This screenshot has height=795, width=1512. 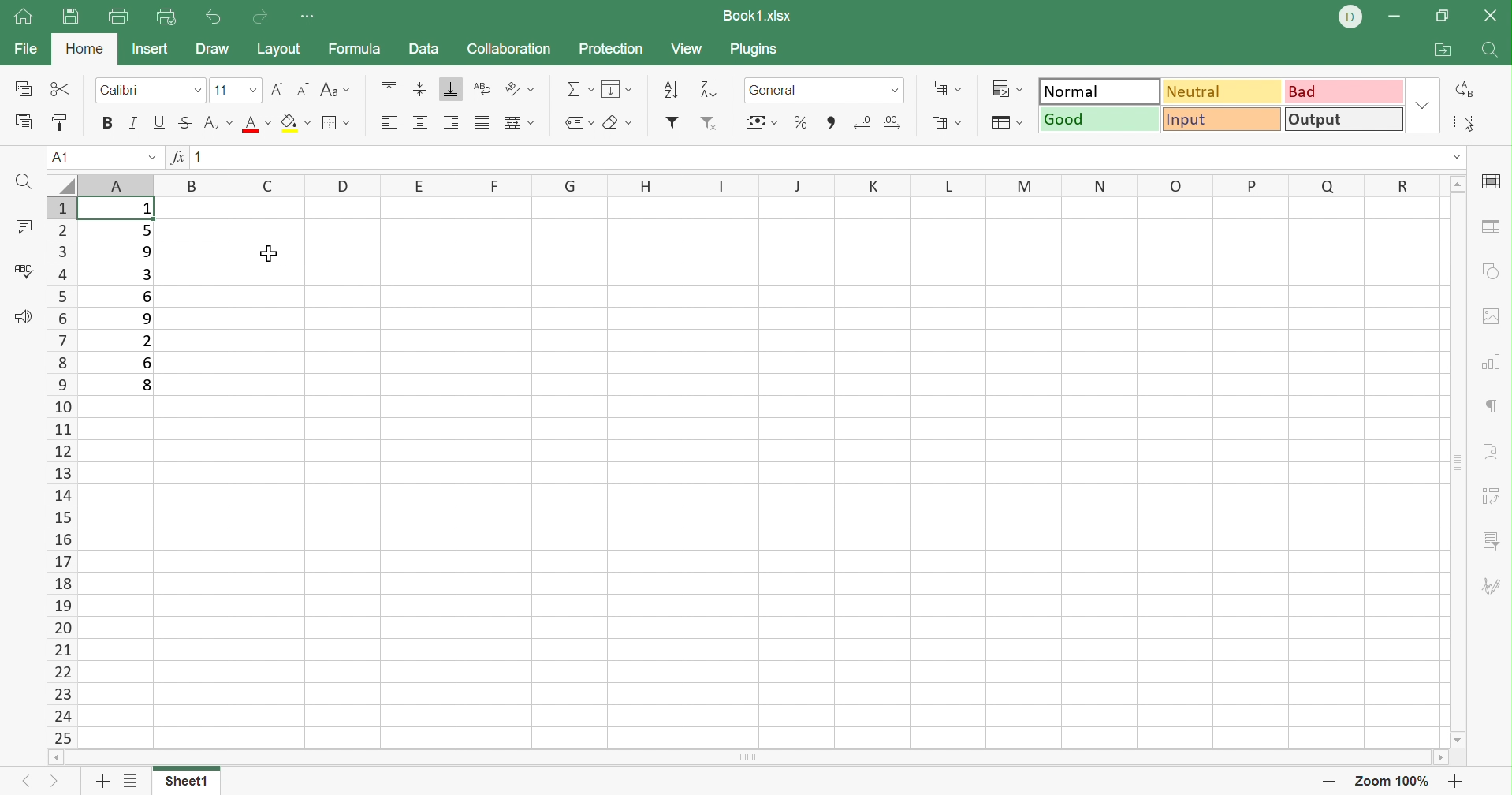 I want to click on DELL, so click(x=1348, y=17).